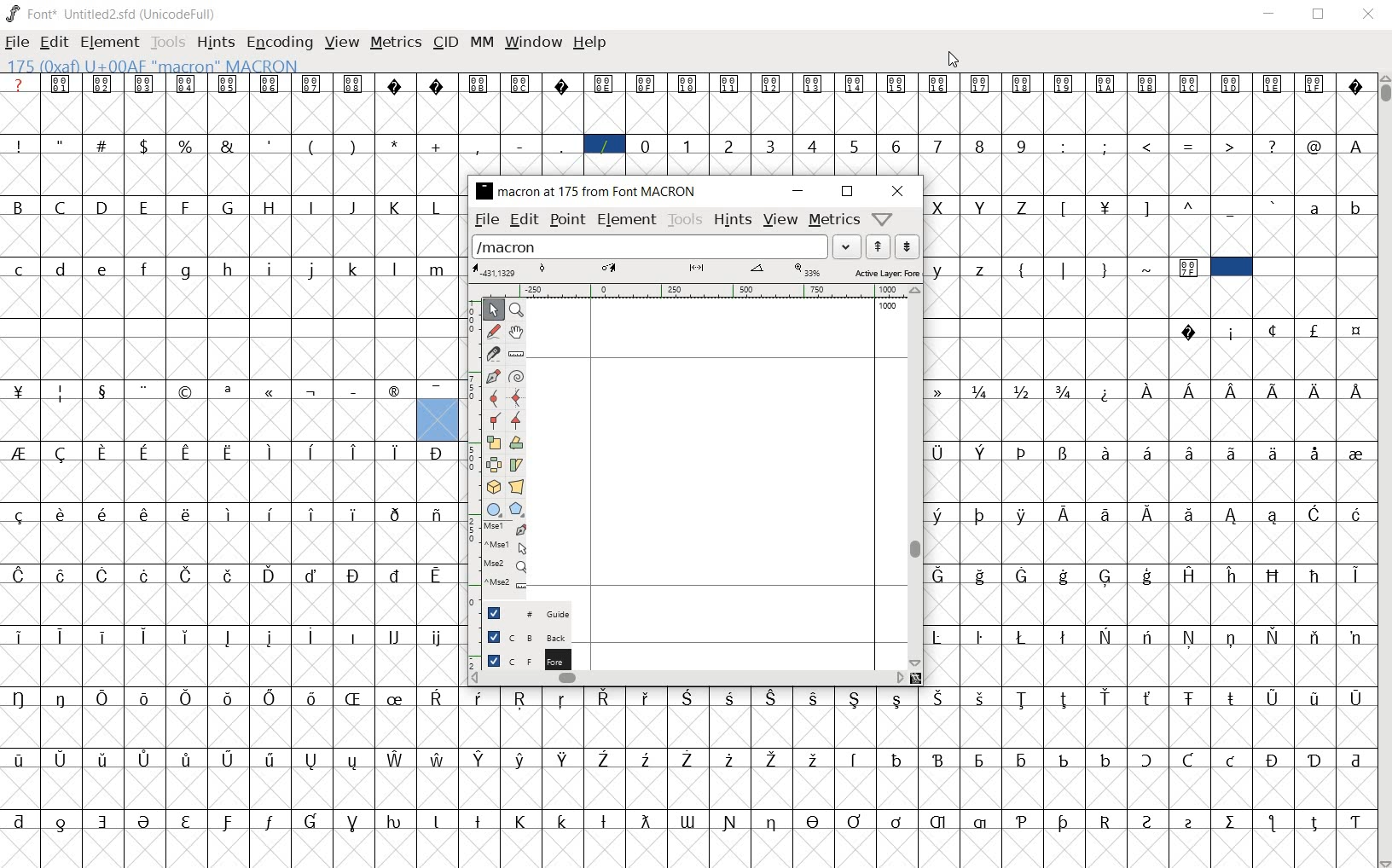  I want to click on Symbol, so click(1149, 820).